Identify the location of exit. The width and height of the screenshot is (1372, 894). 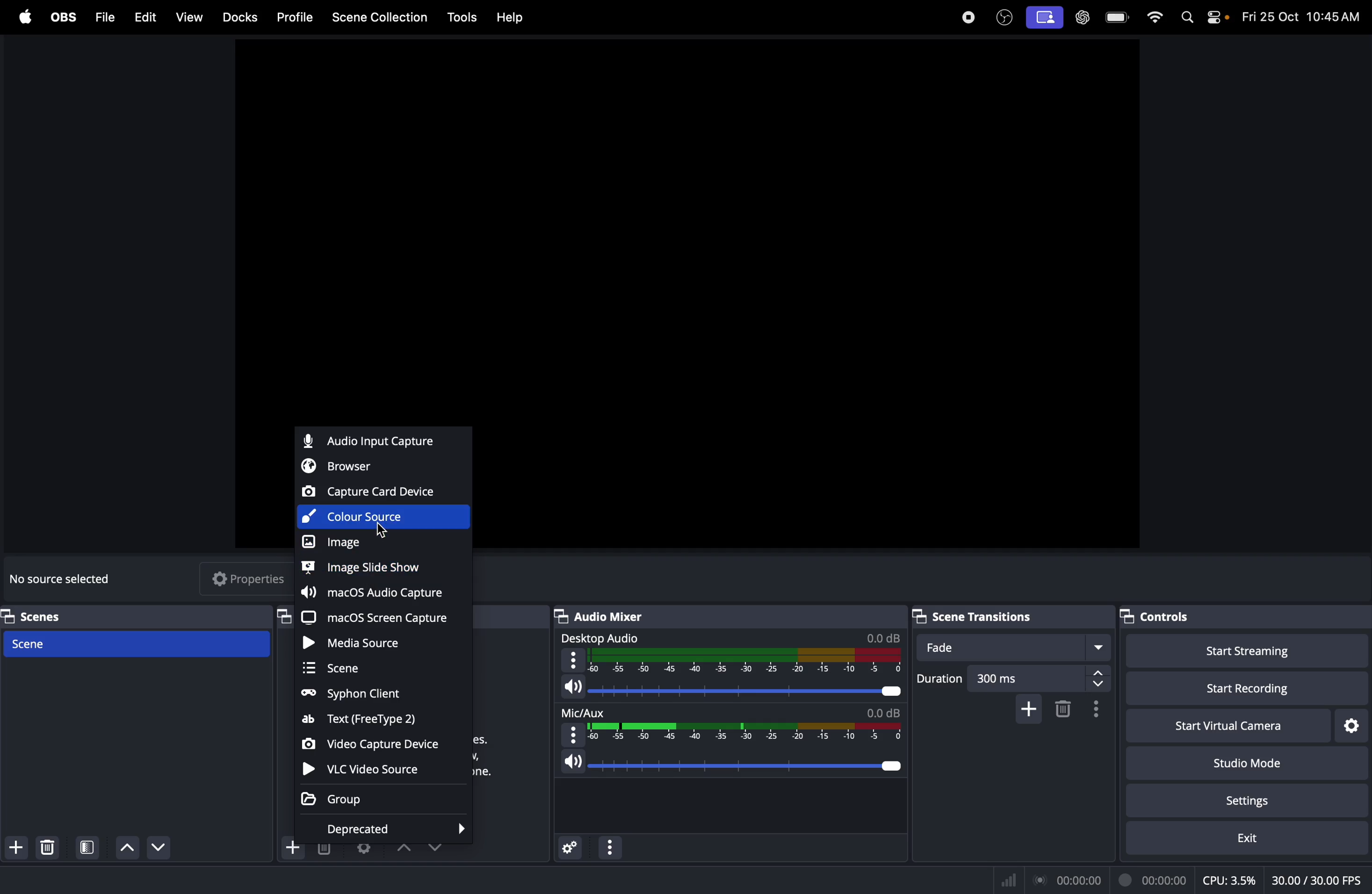
(1238, 839).